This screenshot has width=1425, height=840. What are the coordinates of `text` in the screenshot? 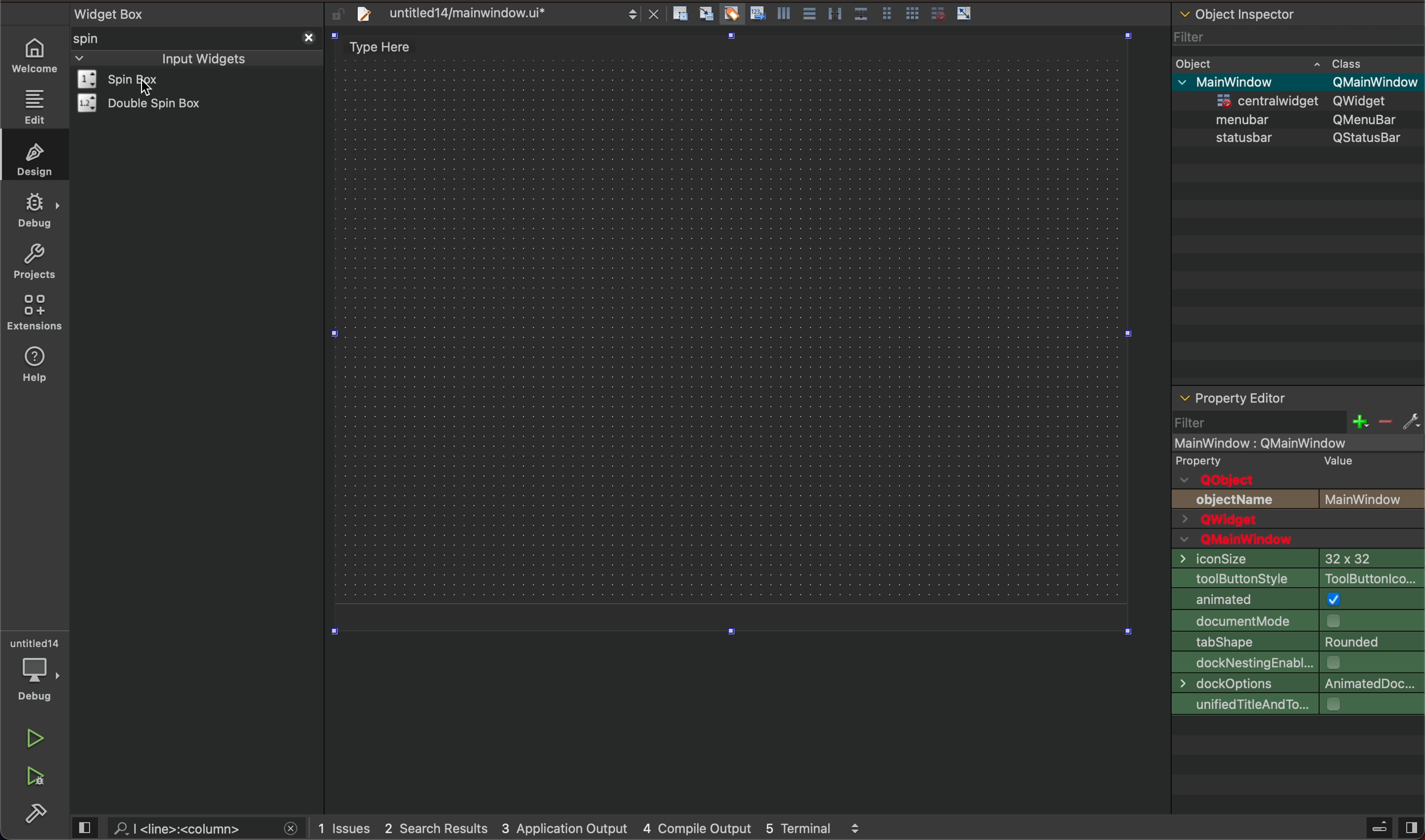 It's located at (1238, 500).